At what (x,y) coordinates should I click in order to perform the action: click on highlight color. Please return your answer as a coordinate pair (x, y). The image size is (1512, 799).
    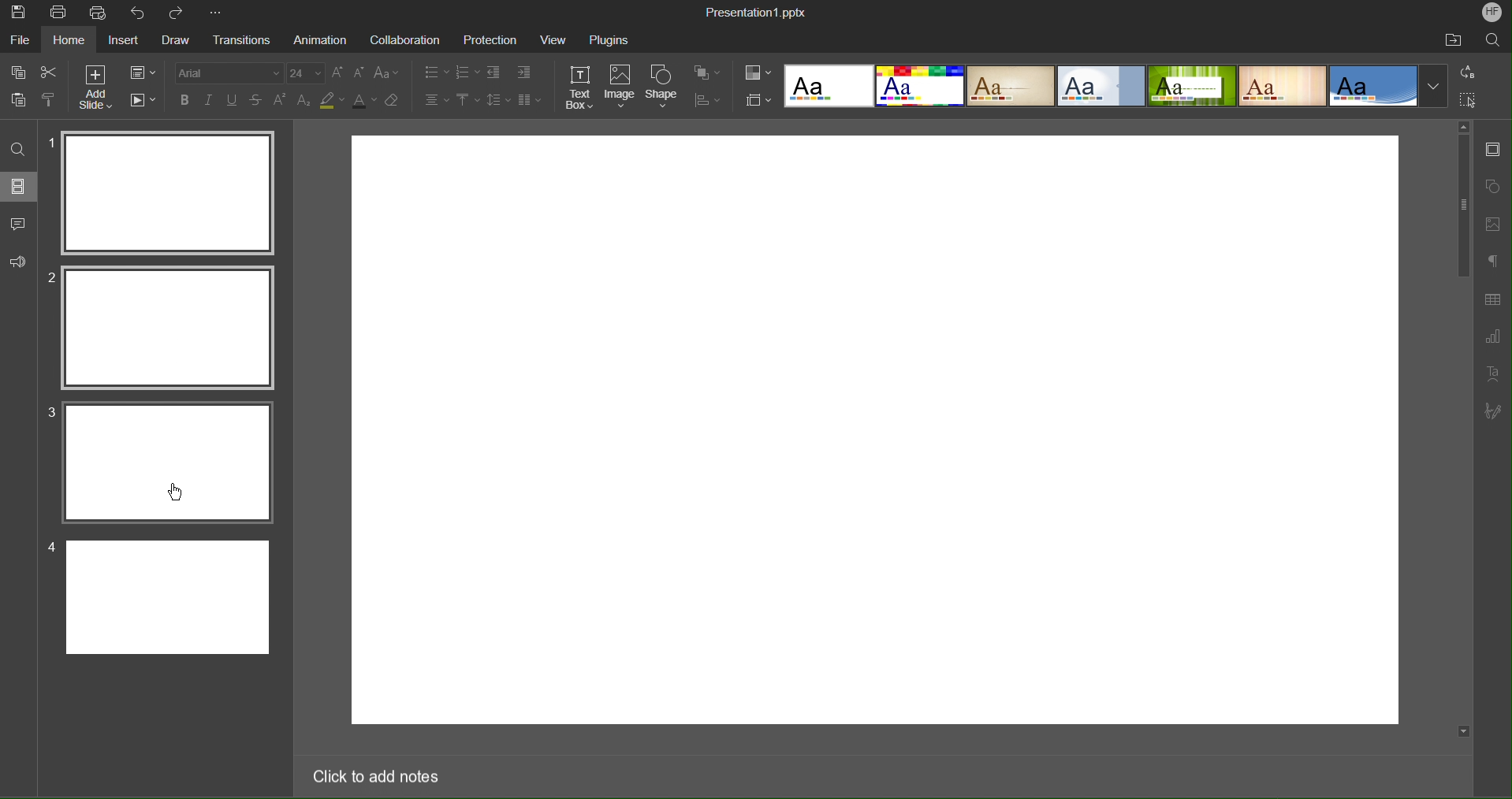
    Looking at the image, I should click on (332, 102).